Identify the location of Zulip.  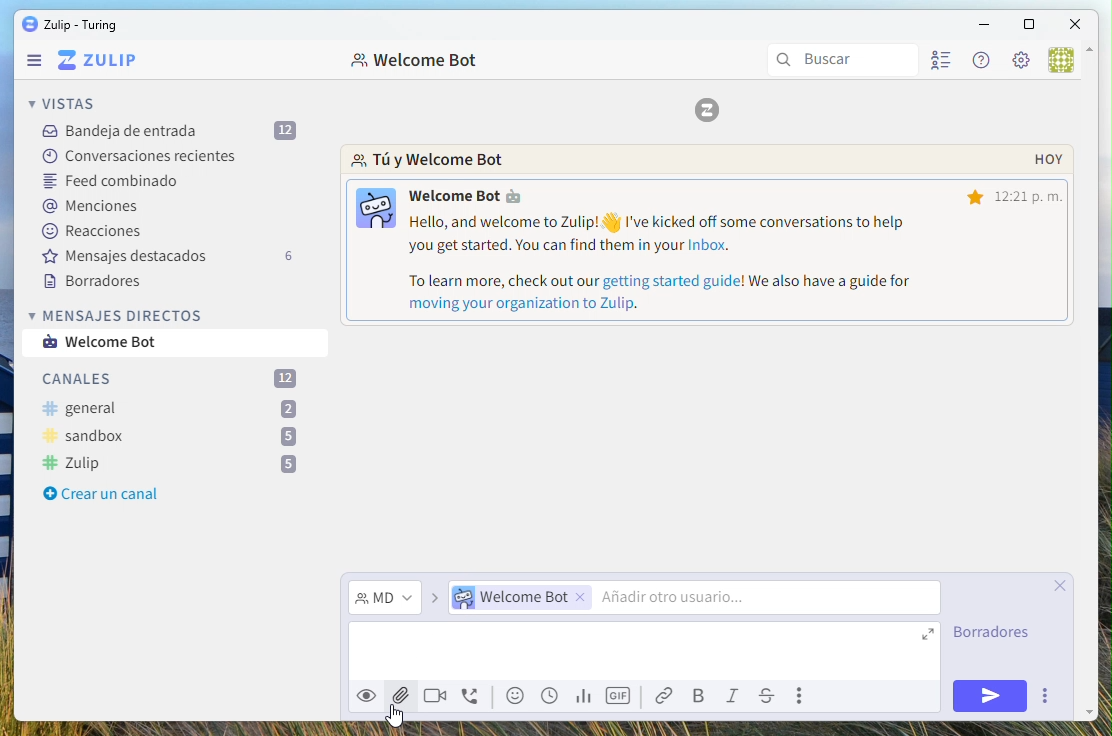
(169, 464).